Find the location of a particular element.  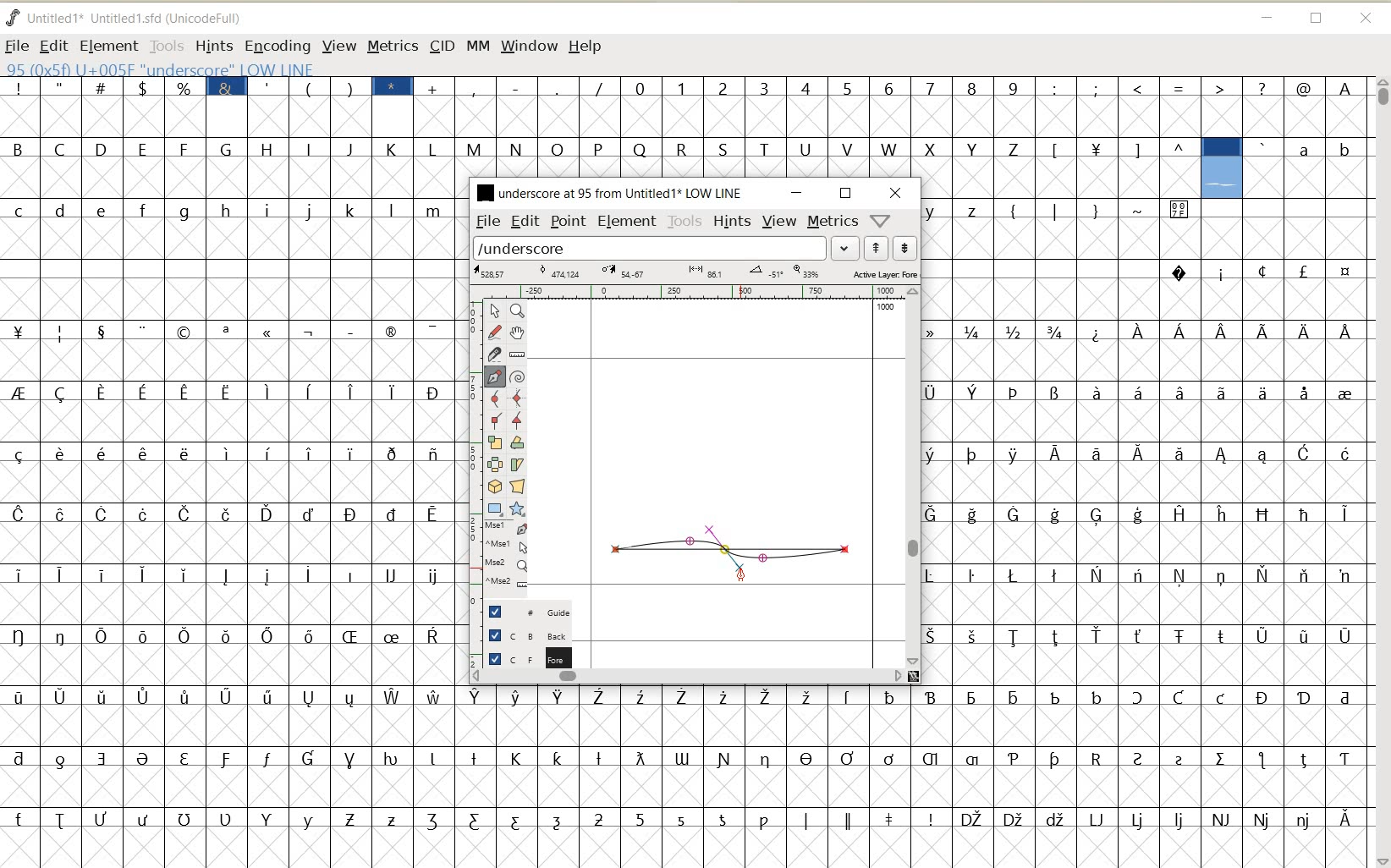

CLOSE is located at coordinates (896, 193).